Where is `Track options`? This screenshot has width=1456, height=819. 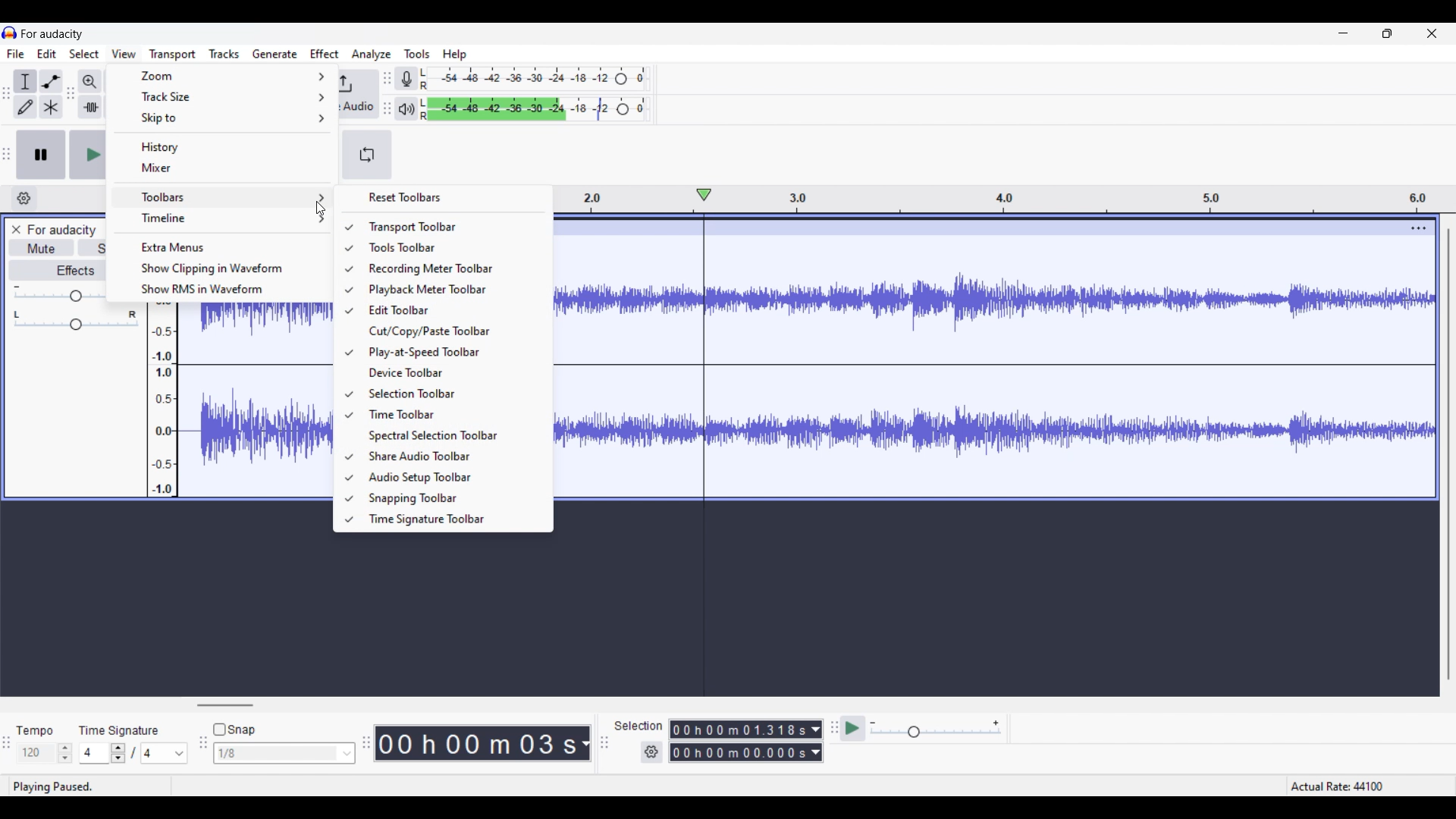
Track options is located at coordinates (1419, 228).